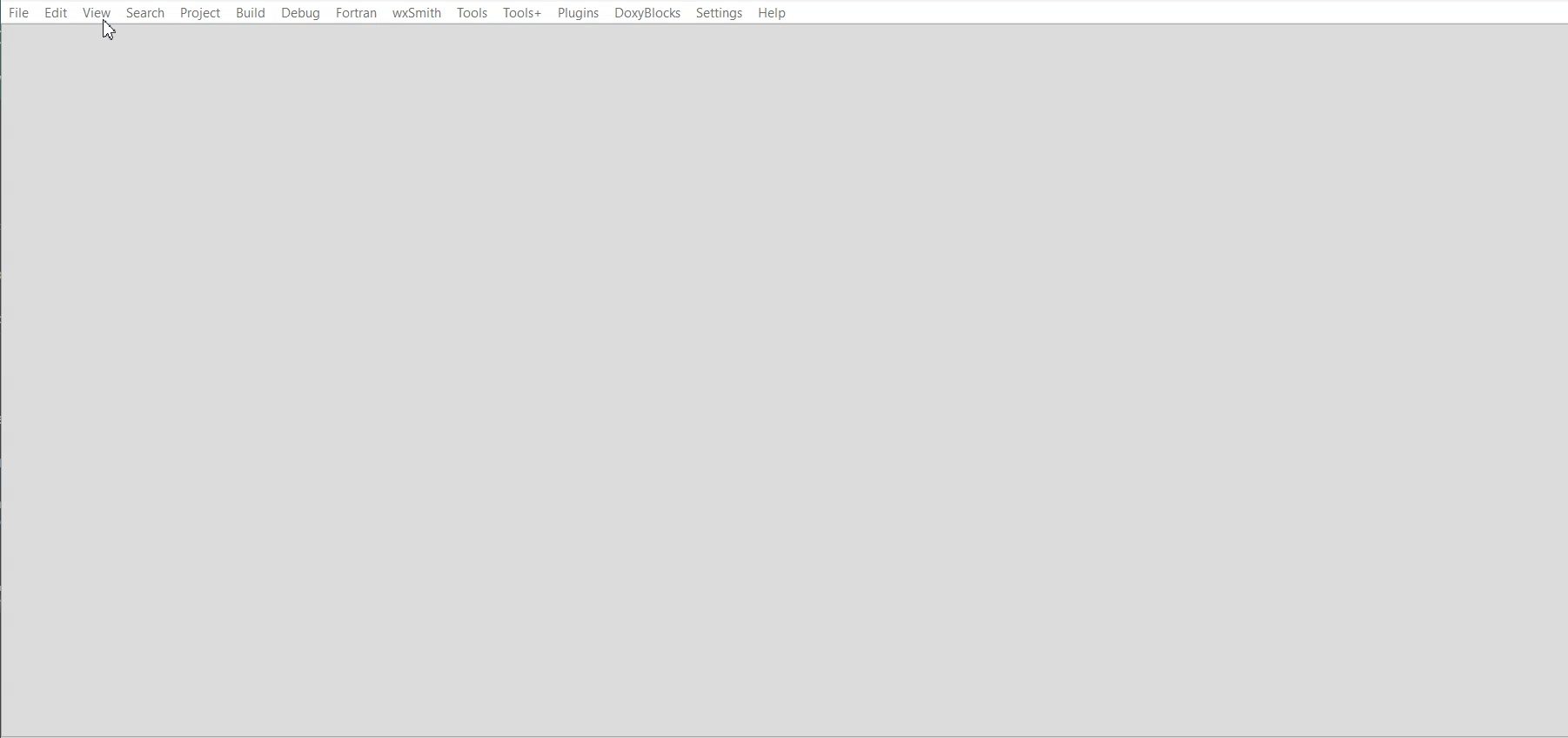  Describe the element at coordinates (199, 12) in the screenshot. I see `Project` at that location.